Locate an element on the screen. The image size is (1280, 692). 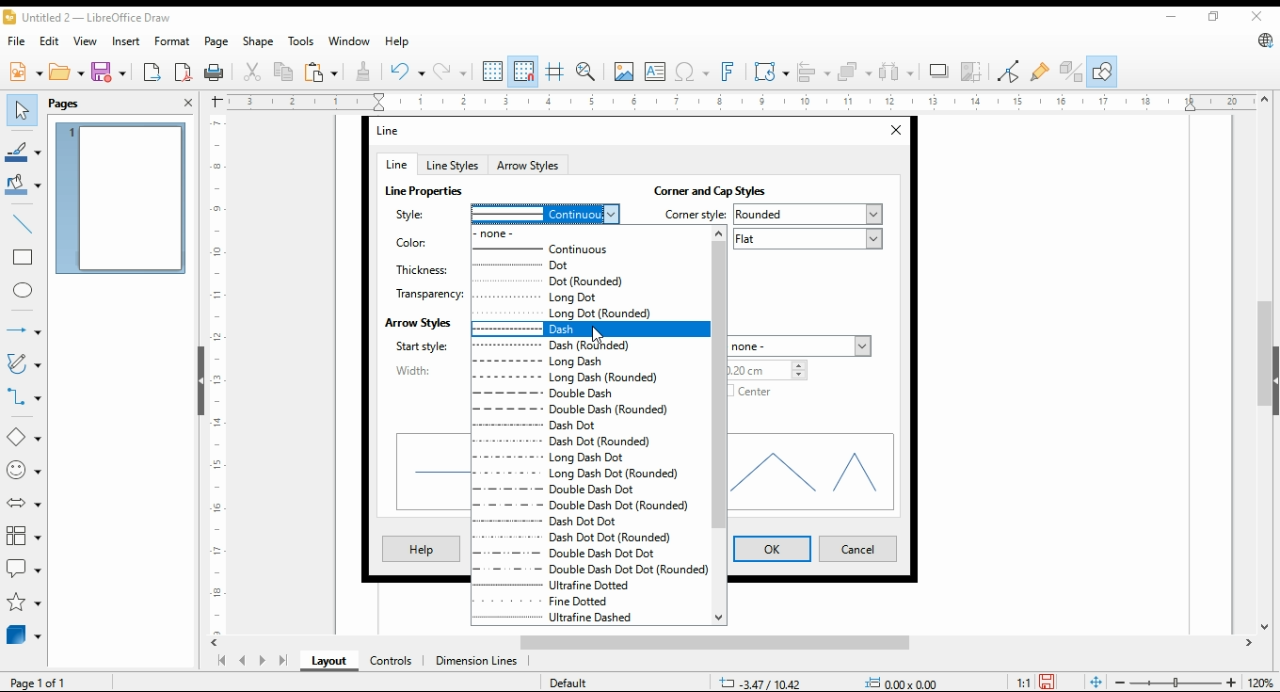
restore is located at coordinates (1217, 17).